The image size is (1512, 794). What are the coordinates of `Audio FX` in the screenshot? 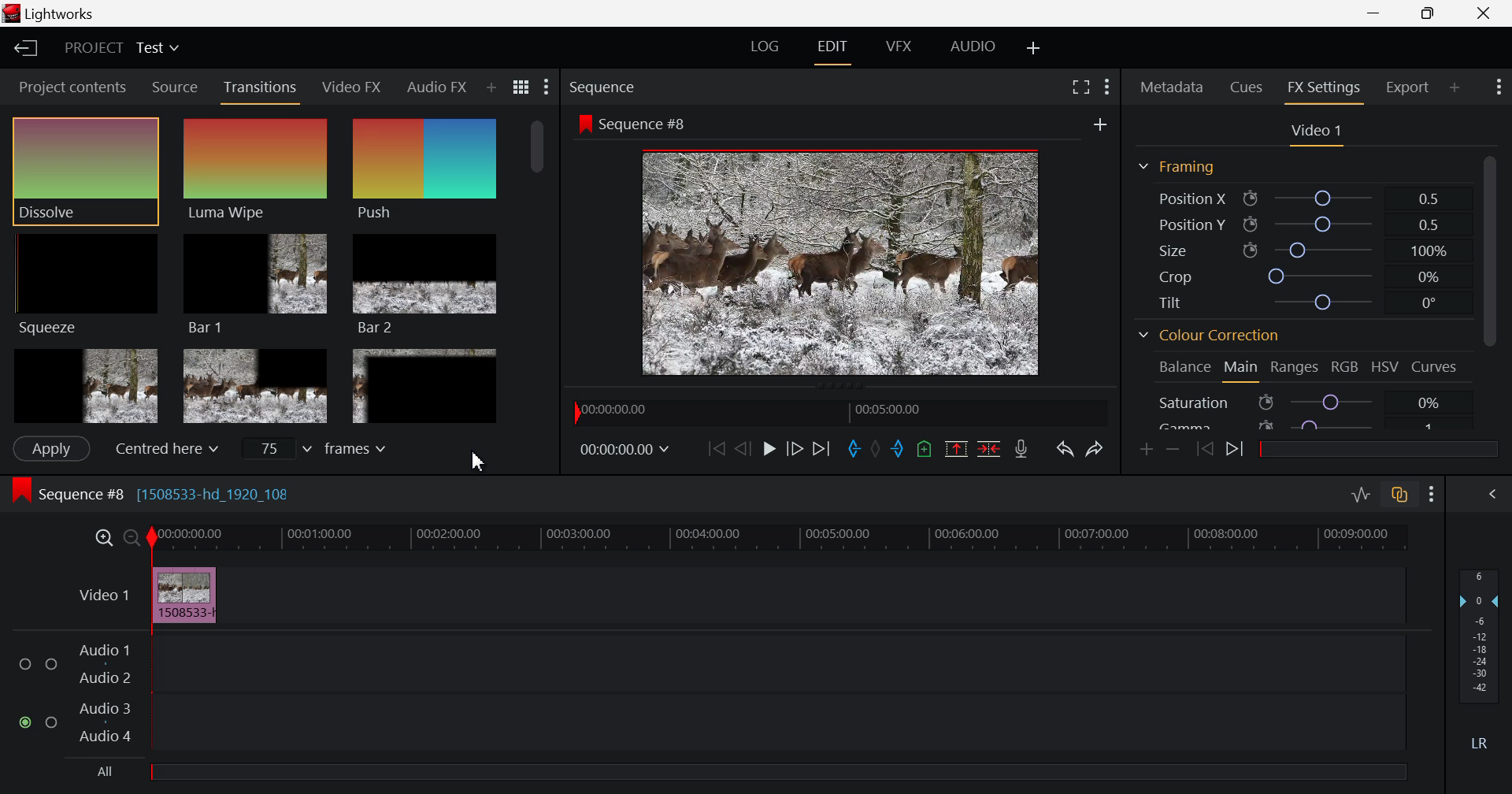 It's located at (436, 83).